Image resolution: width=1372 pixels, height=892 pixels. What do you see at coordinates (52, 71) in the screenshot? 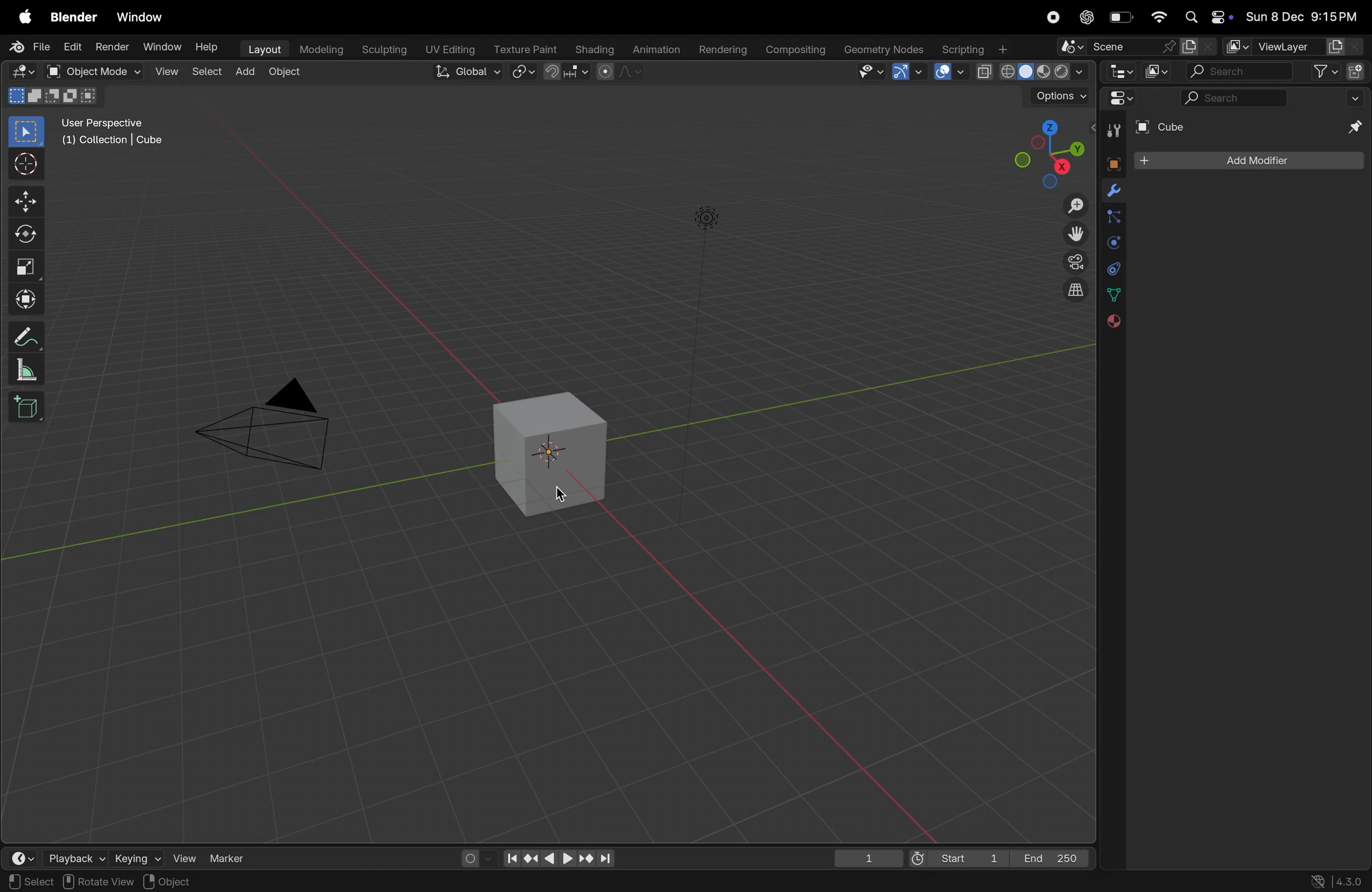
I see `open` at bounding box center [52, 71].